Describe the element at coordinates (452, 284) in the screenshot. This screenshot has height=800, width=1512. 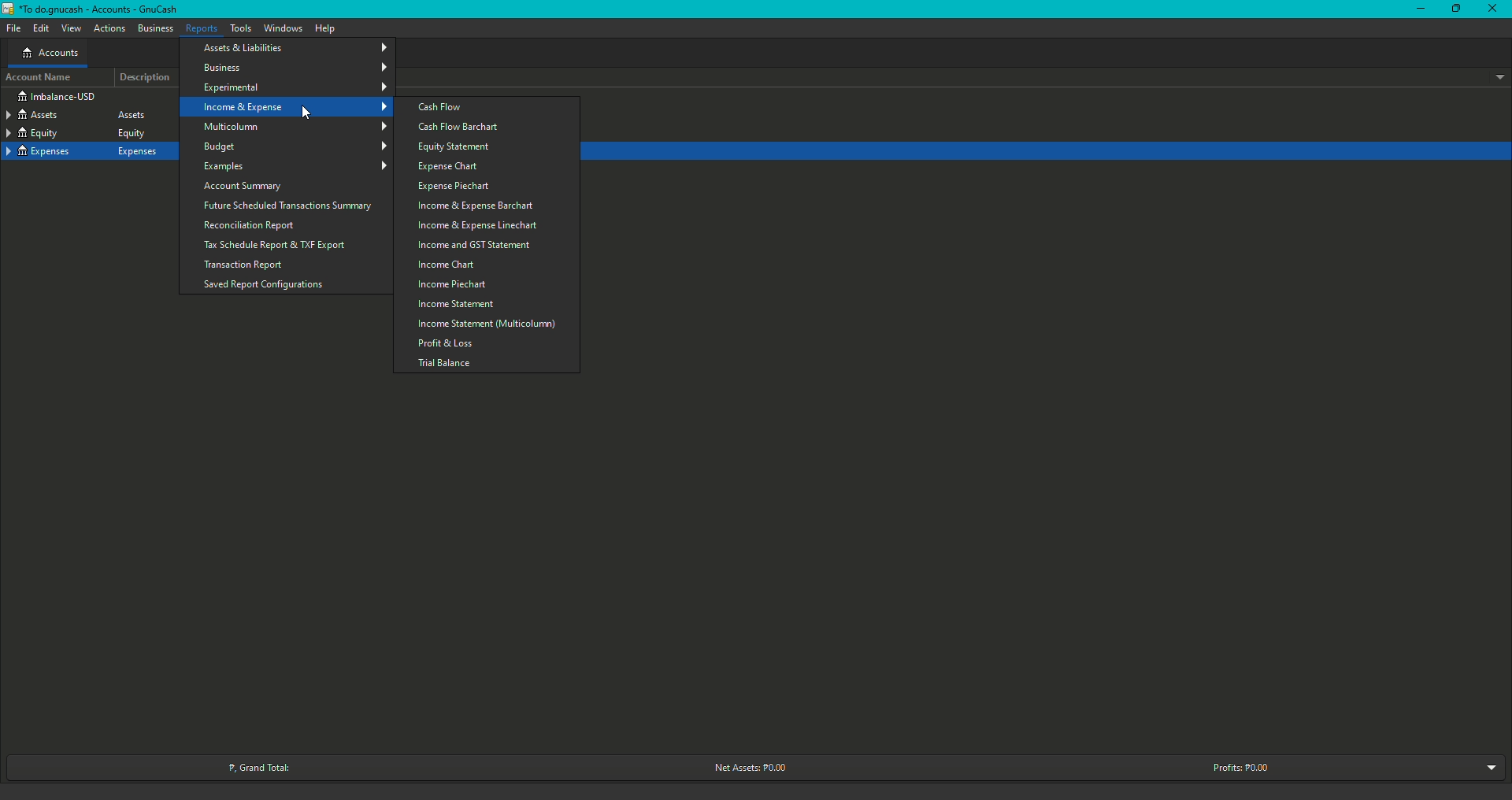
I see `Income Piechart` at that location.